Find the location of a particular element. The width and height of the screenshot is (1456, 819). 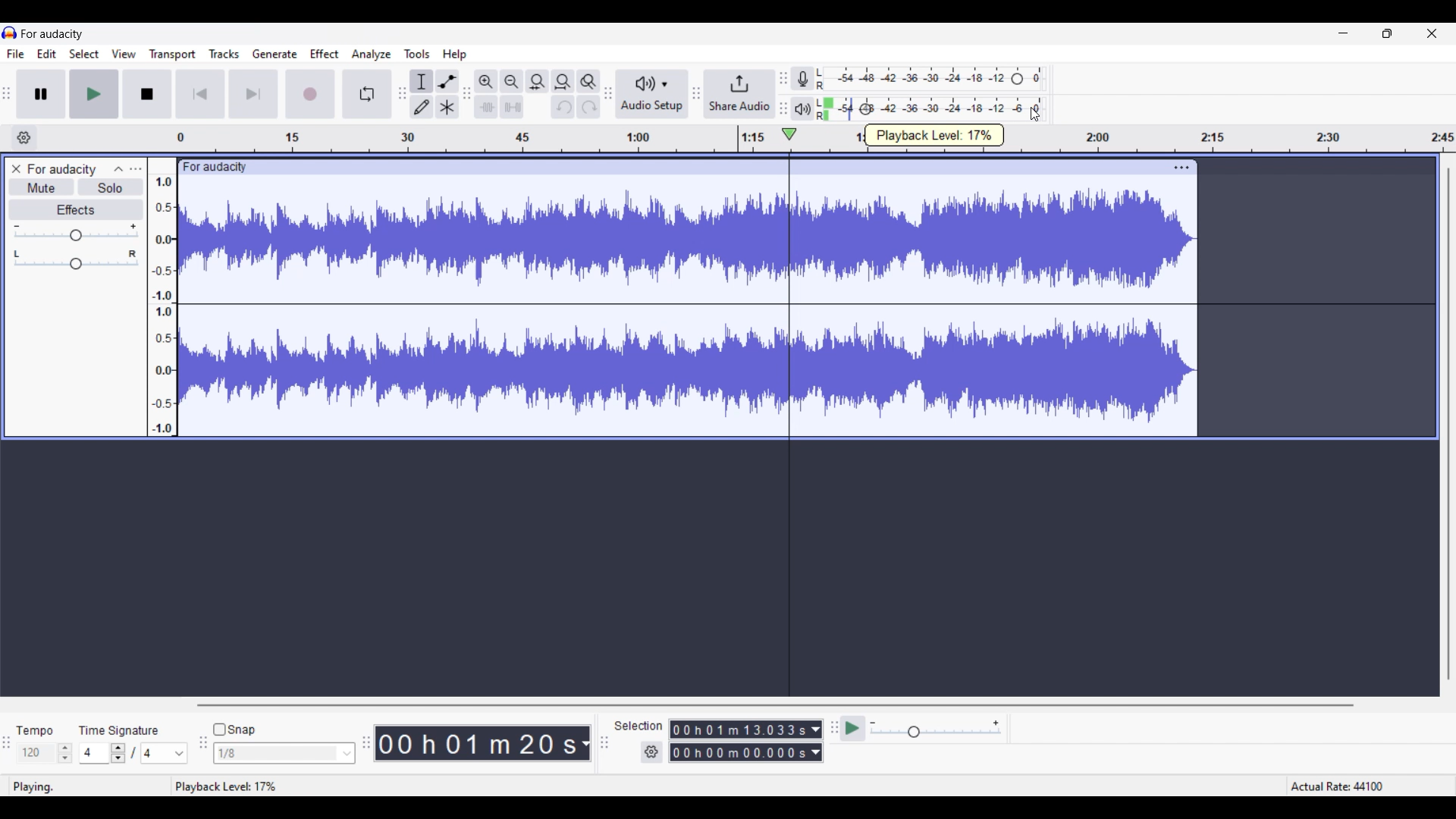

Trim audio outside selection is located at coordinates (486, 107).